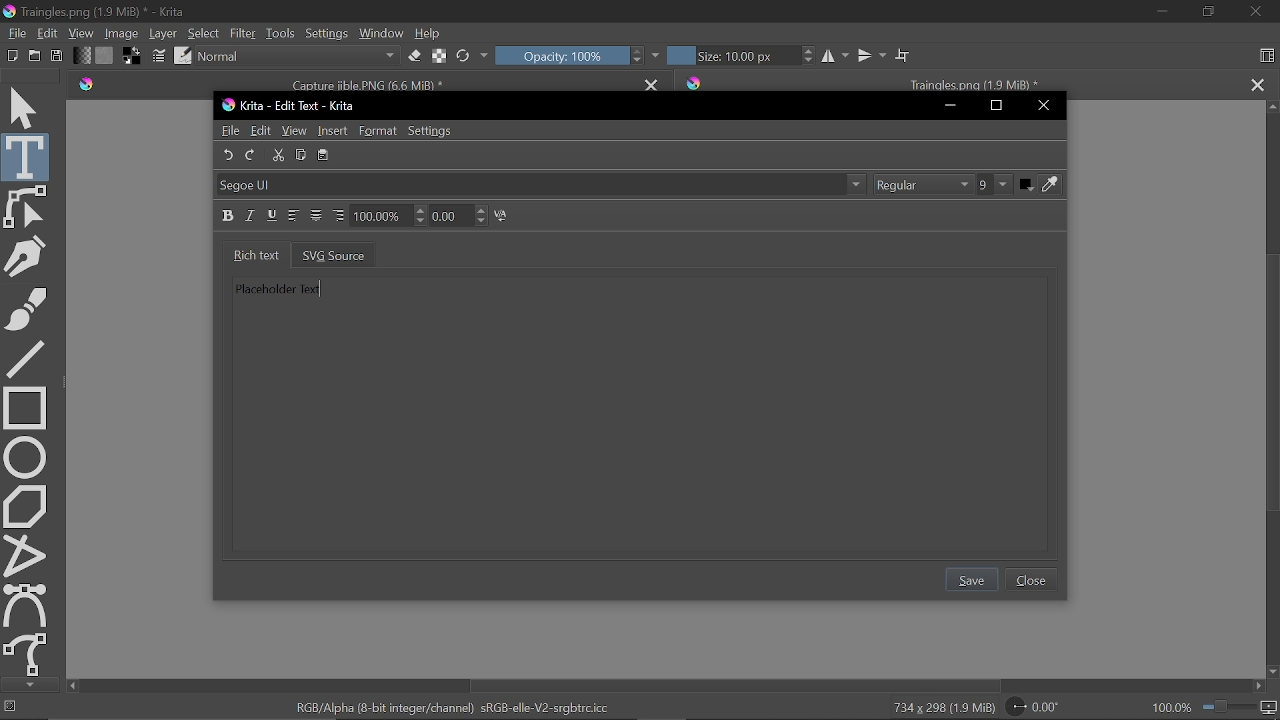  Describe the element at coordinates (123, 33) in the screenshot. I see `Image` at that location.